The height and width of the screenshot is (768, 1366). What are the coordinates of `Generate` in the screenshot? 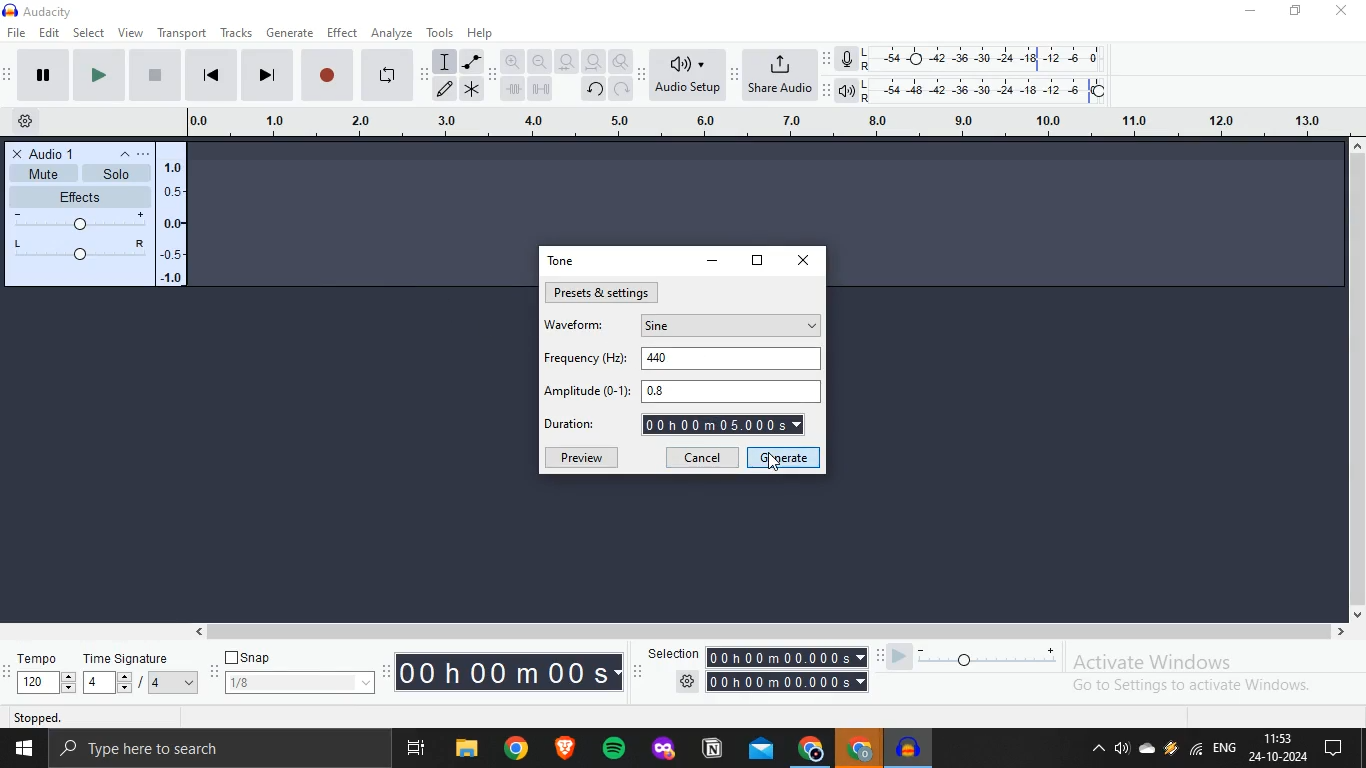 It's located at (784, 456).